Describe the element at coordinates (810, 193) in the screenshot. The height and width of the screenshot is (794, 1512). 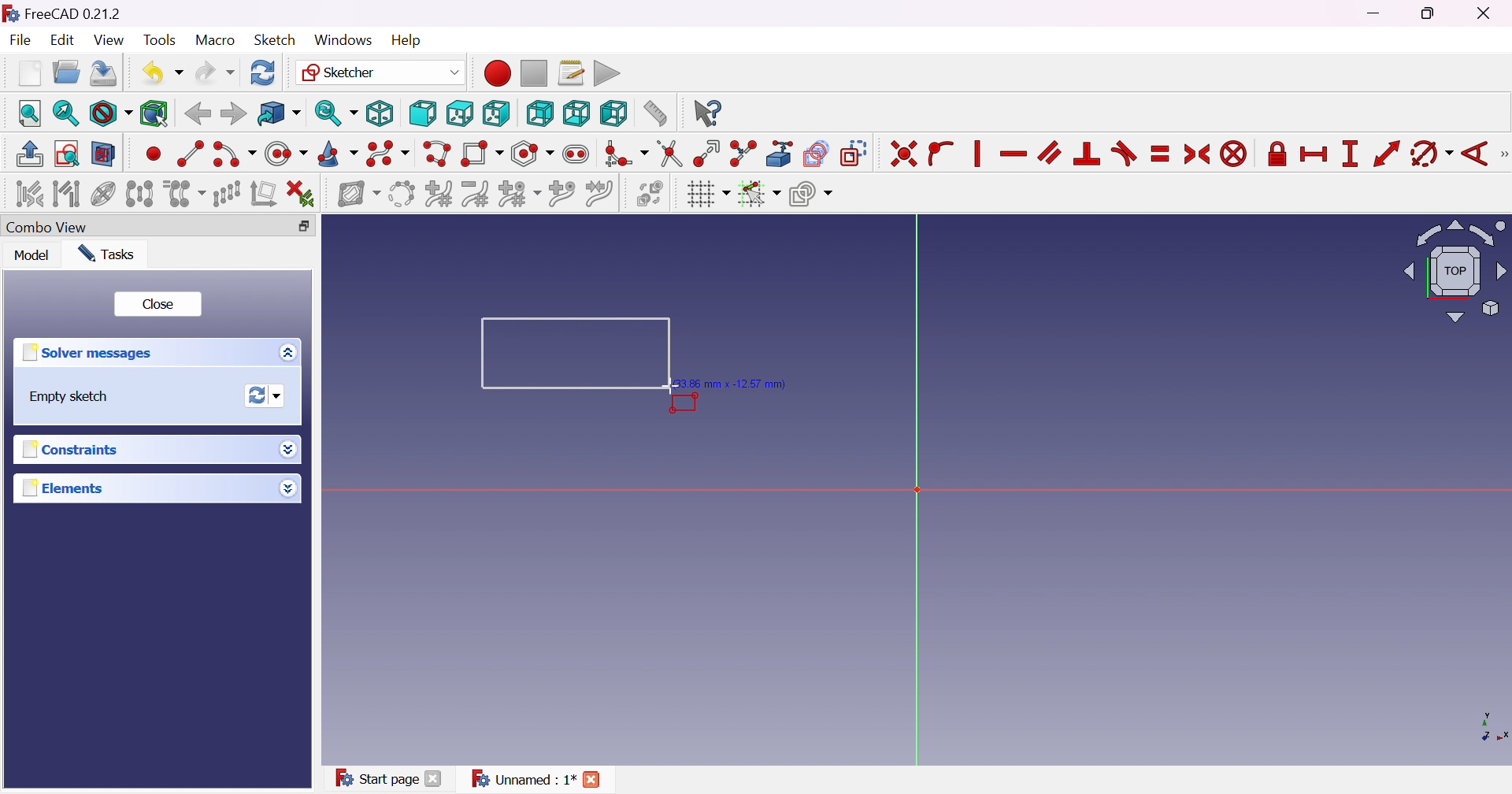
I see `Configure rendering order` at that location.